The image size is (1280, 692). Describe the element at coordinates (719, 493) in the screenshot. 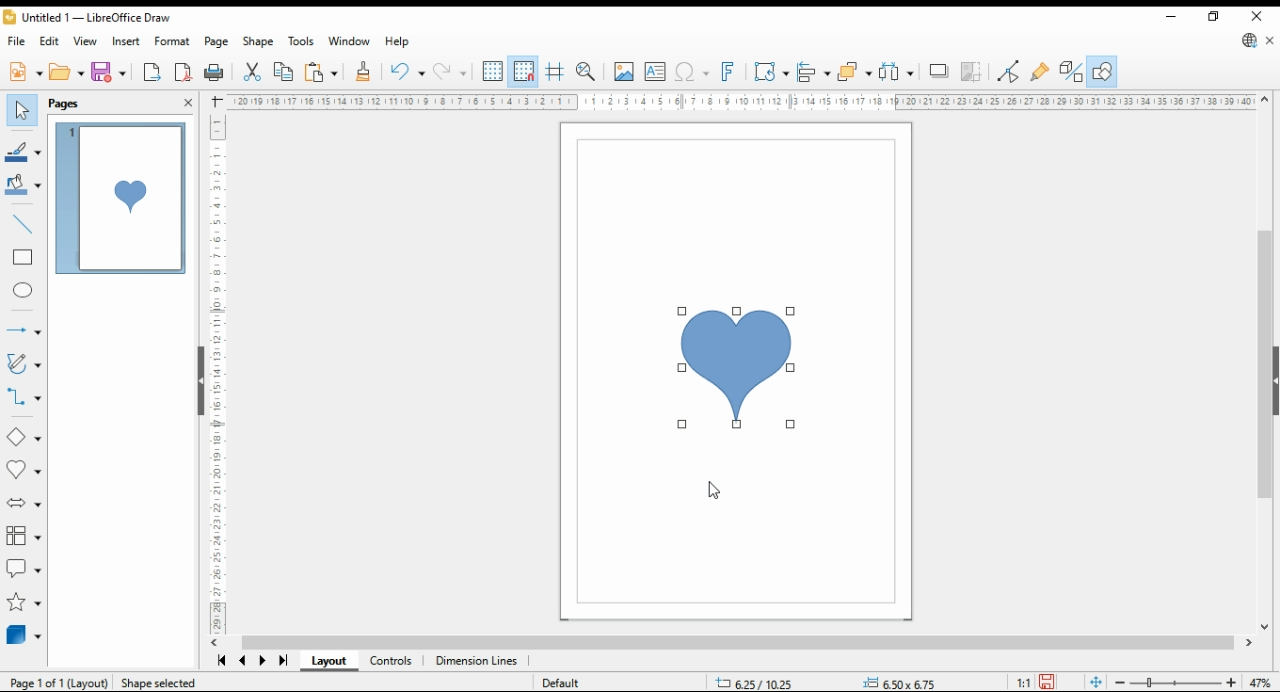

I see `mouse pointer` at that location.